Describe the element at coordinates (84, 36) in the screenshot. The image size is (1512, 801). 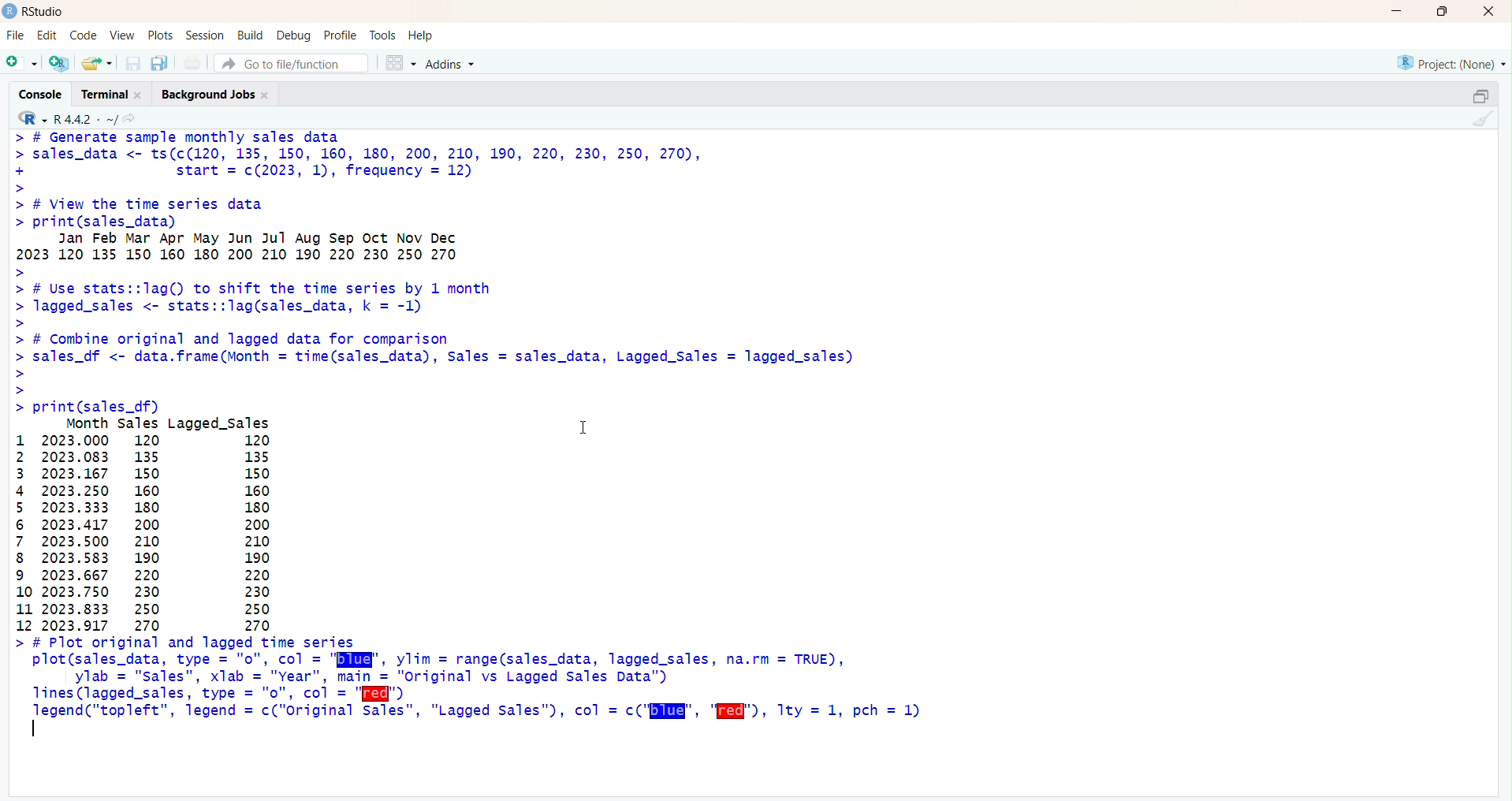
I see `code` at that location.